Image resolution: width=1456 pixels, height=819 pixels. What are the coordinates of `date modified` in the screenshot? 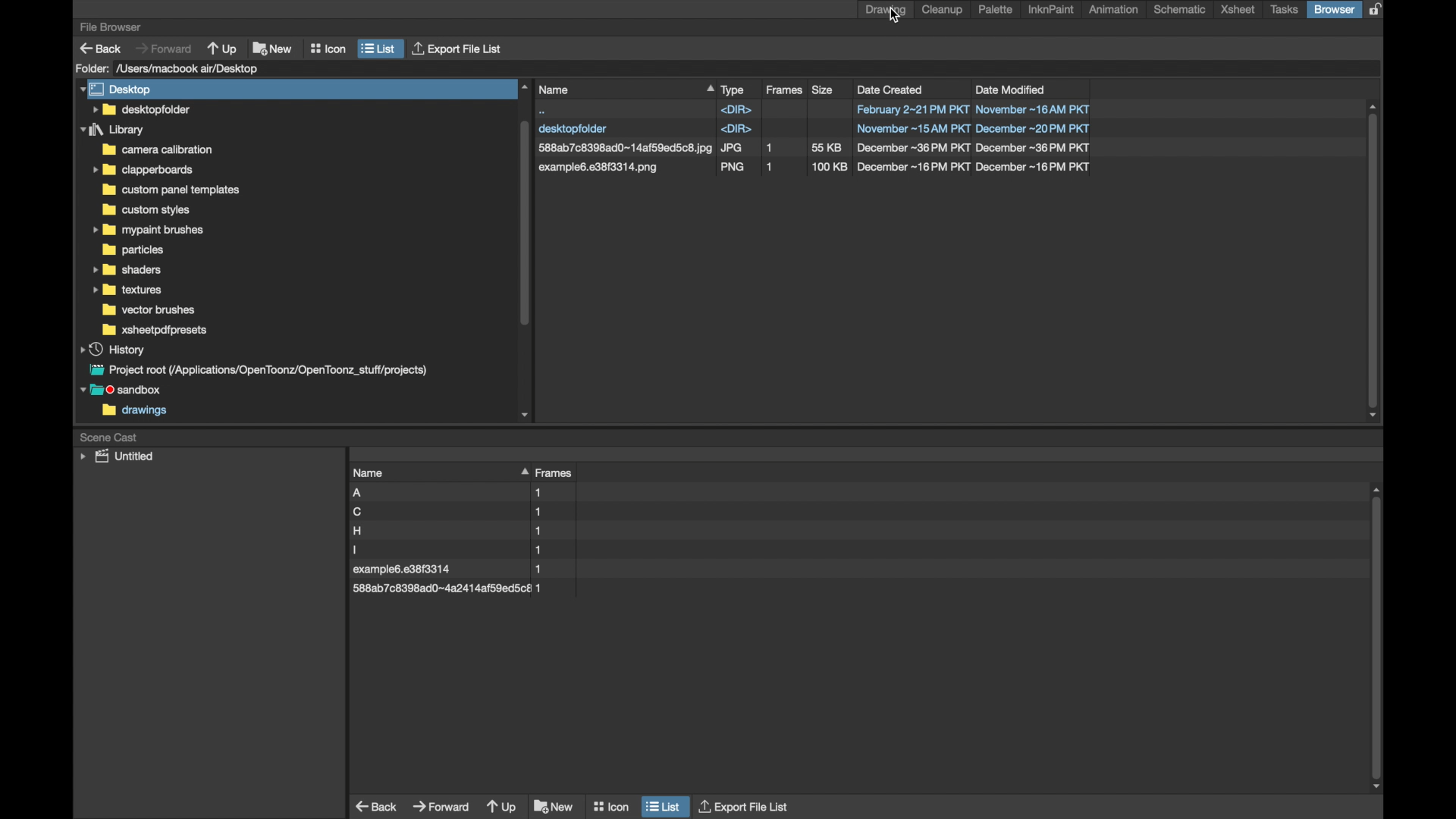 It's located at (1011, 89).